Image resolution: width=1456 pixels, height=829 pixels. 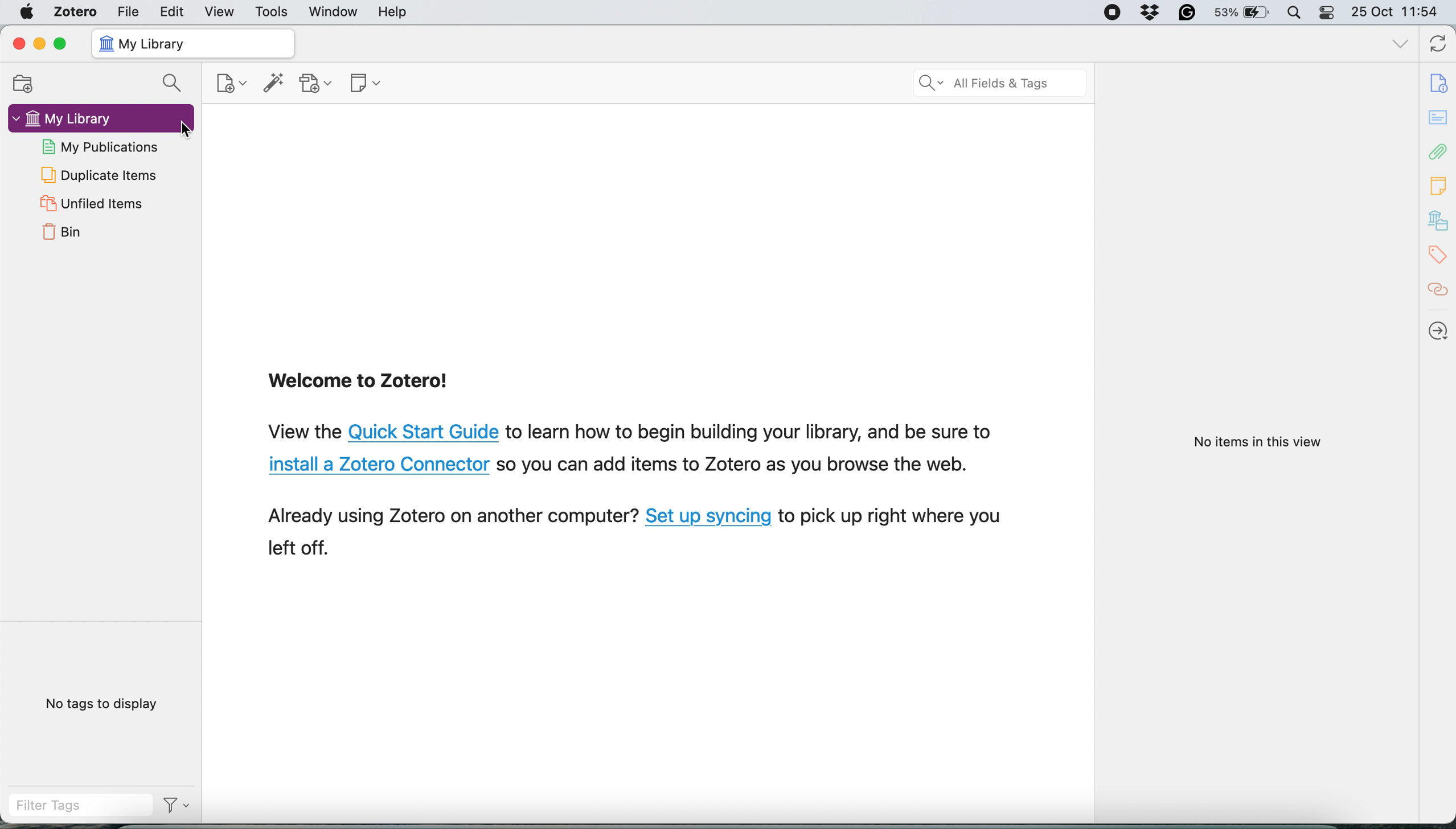 I want to click on system logo, so click(x=25, y=12).